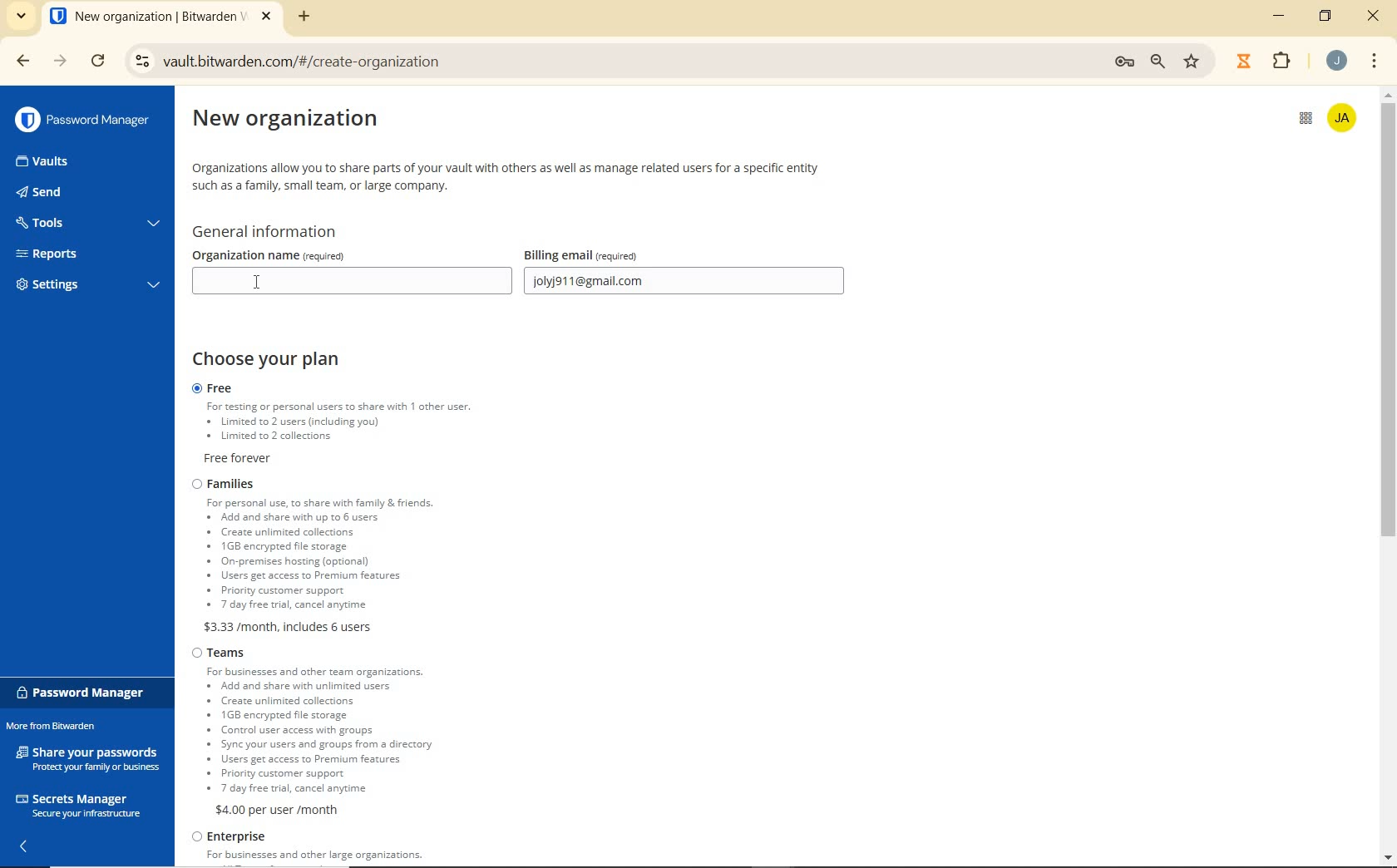 The image size is (1397, 868). What do you see at coordinates (61, 727) in the screenshot?
I see `more from bitwarden` at bounding box center [61, 727].